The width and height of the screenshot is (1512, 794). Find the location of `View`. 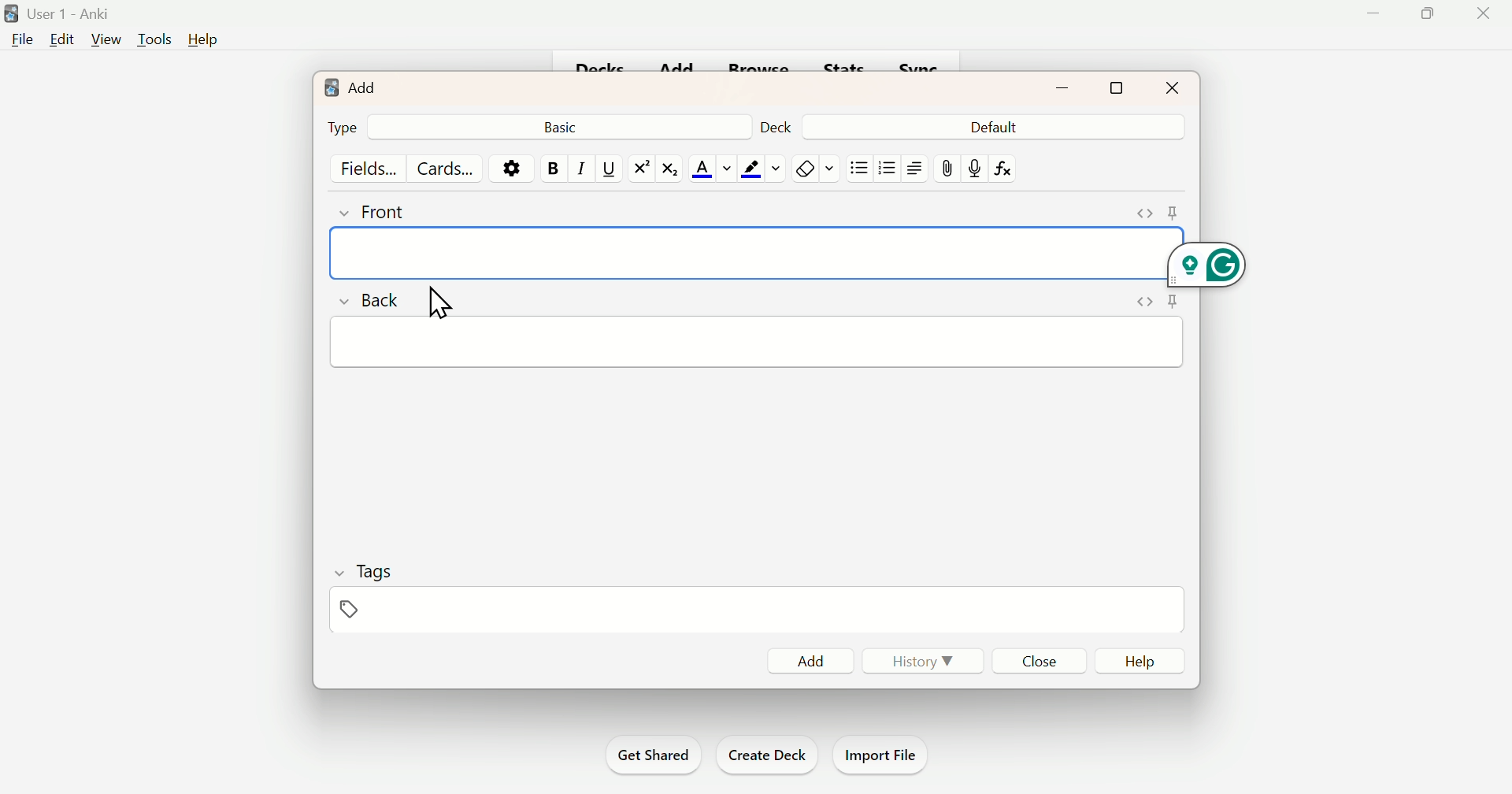

View is located at coordinates (104, 40).